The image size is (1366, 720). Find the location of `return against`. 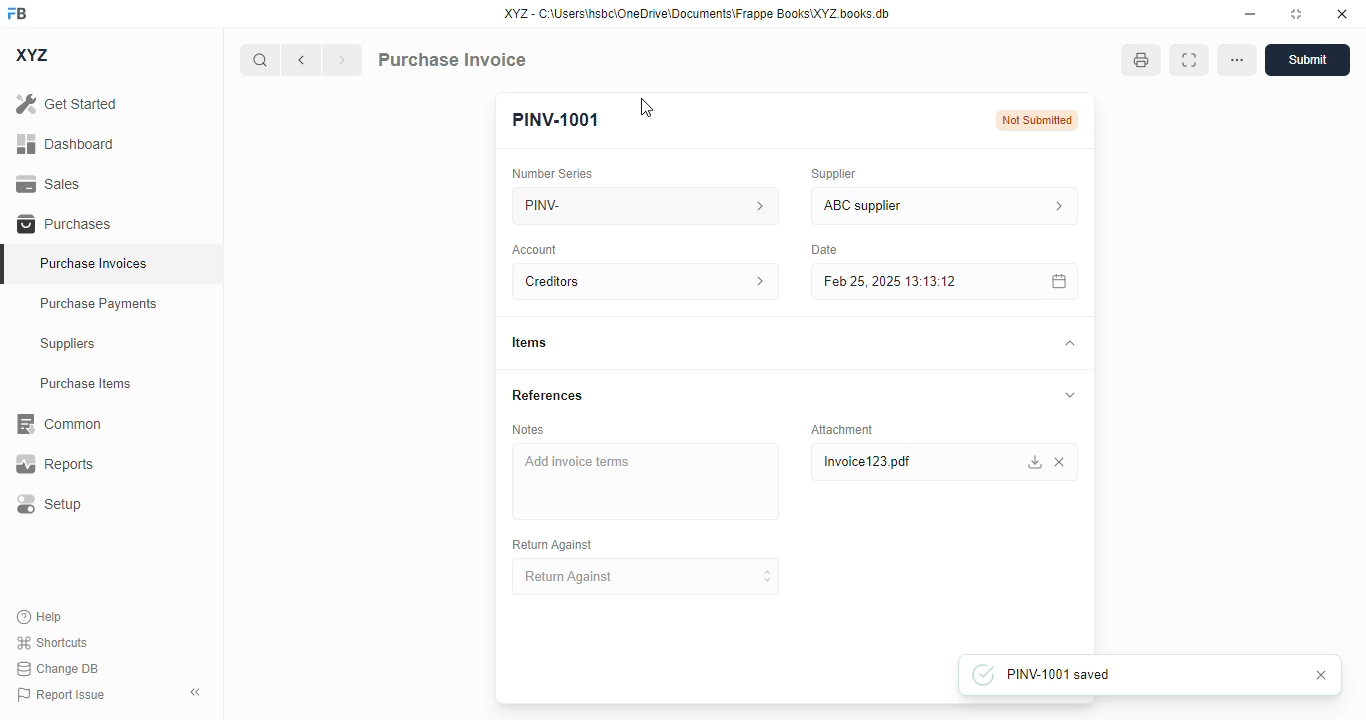

return against is located at coordinates (551, 545).